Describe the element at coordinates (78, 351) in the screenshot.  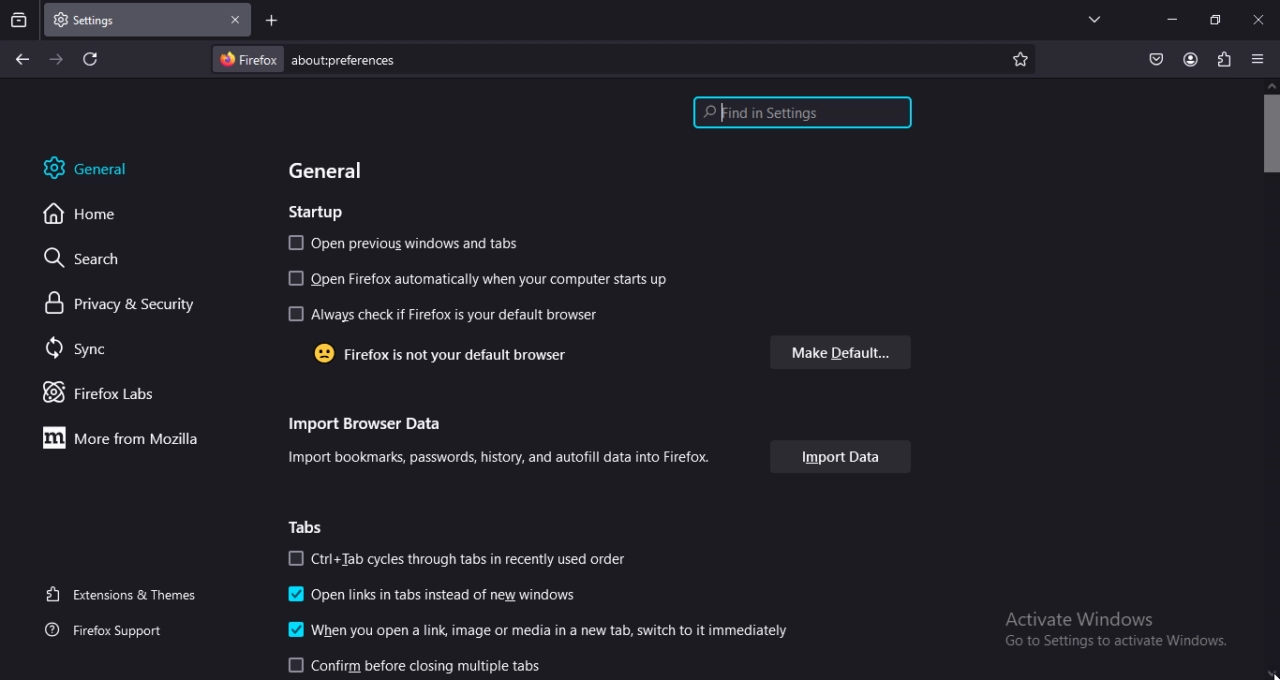
I see `sync` at that location.